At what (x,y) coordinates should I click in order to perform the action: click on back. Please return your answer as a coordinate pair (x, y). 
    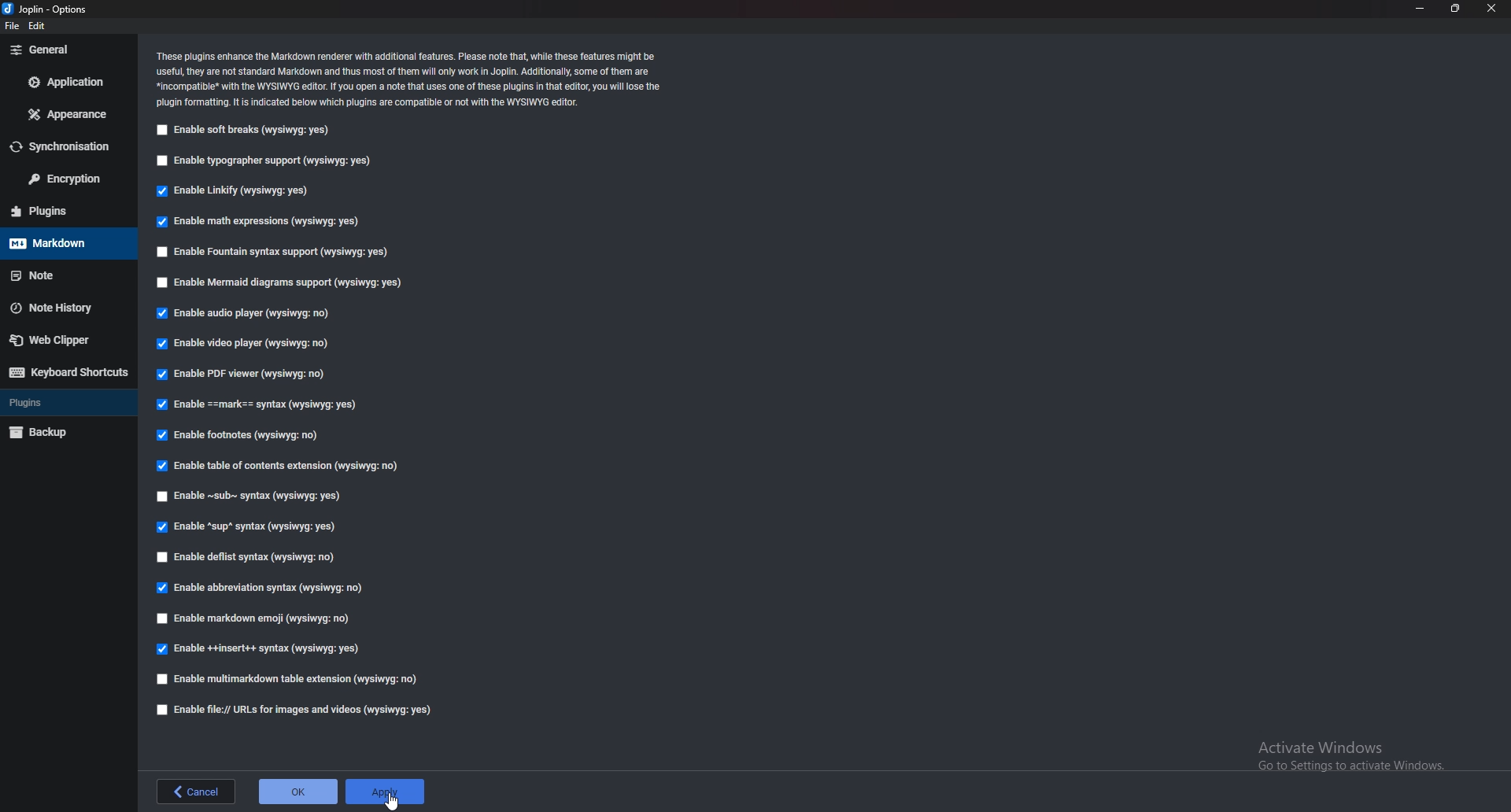
    Looking at the image, I should click on (194, 792).